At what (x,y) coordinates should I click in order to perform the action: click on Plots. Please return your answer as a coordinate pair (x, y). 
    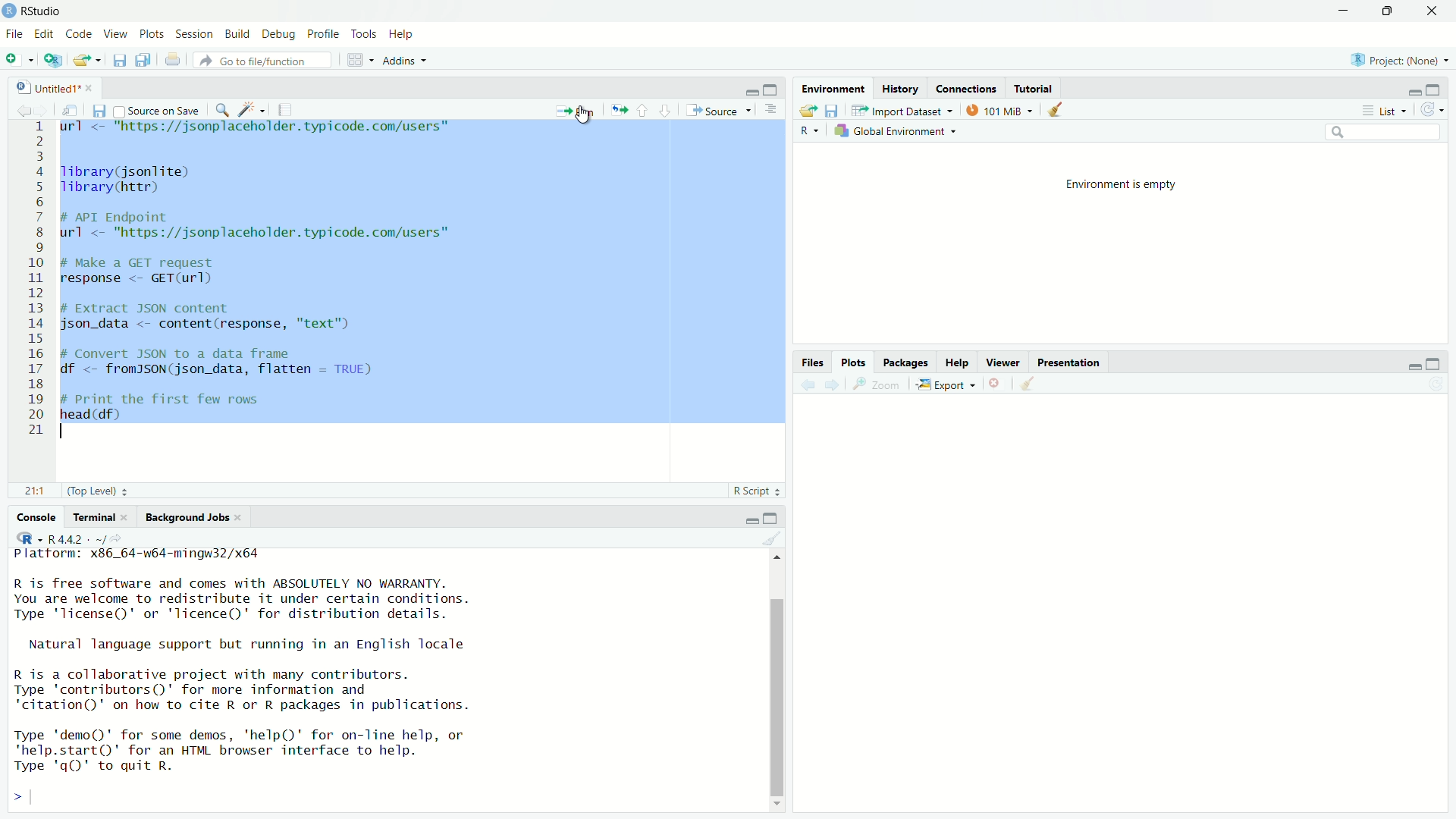
    Looking at the image, I should click on (852, 362).